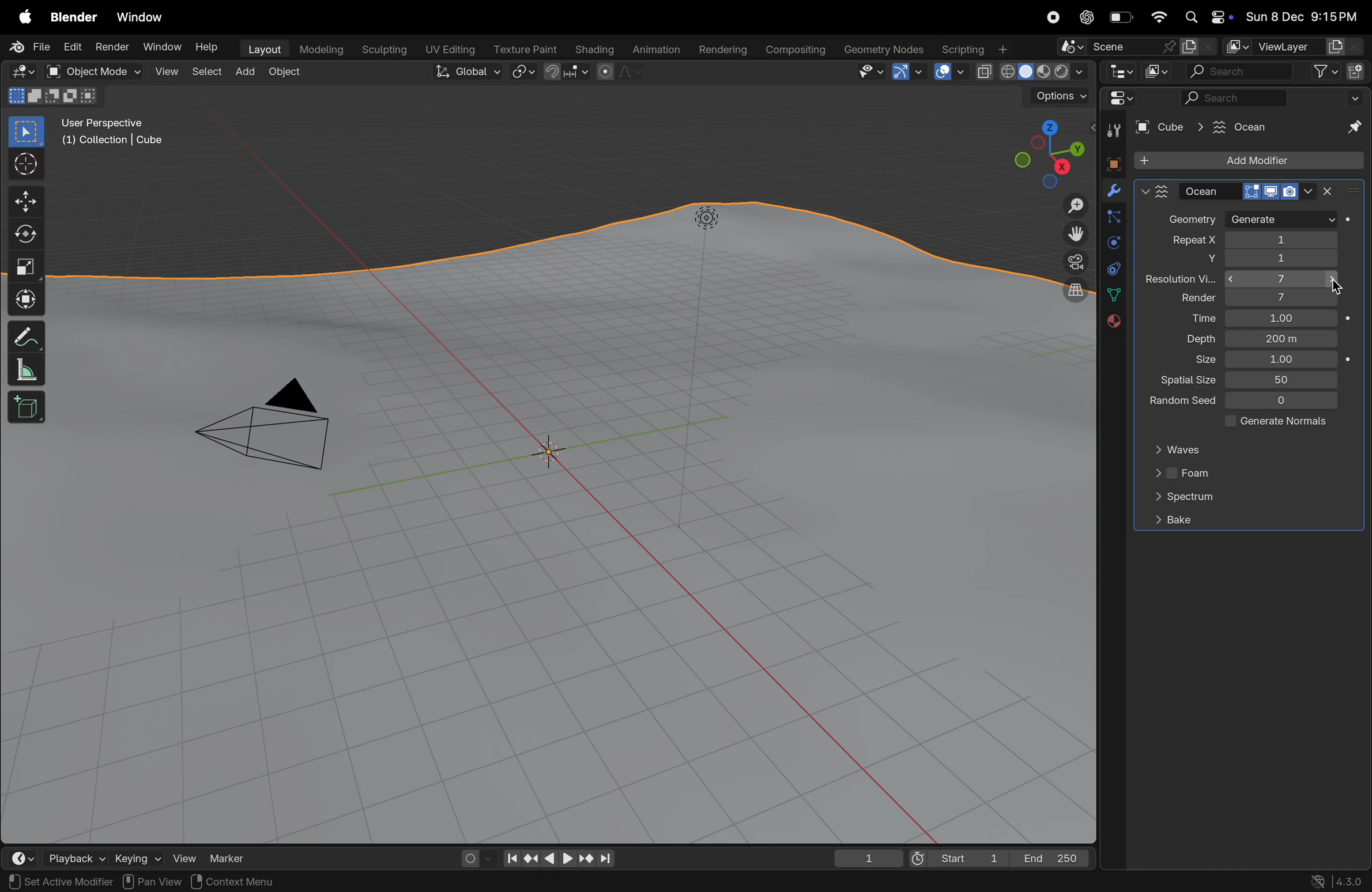  I want to click on view, so click(167, 73).